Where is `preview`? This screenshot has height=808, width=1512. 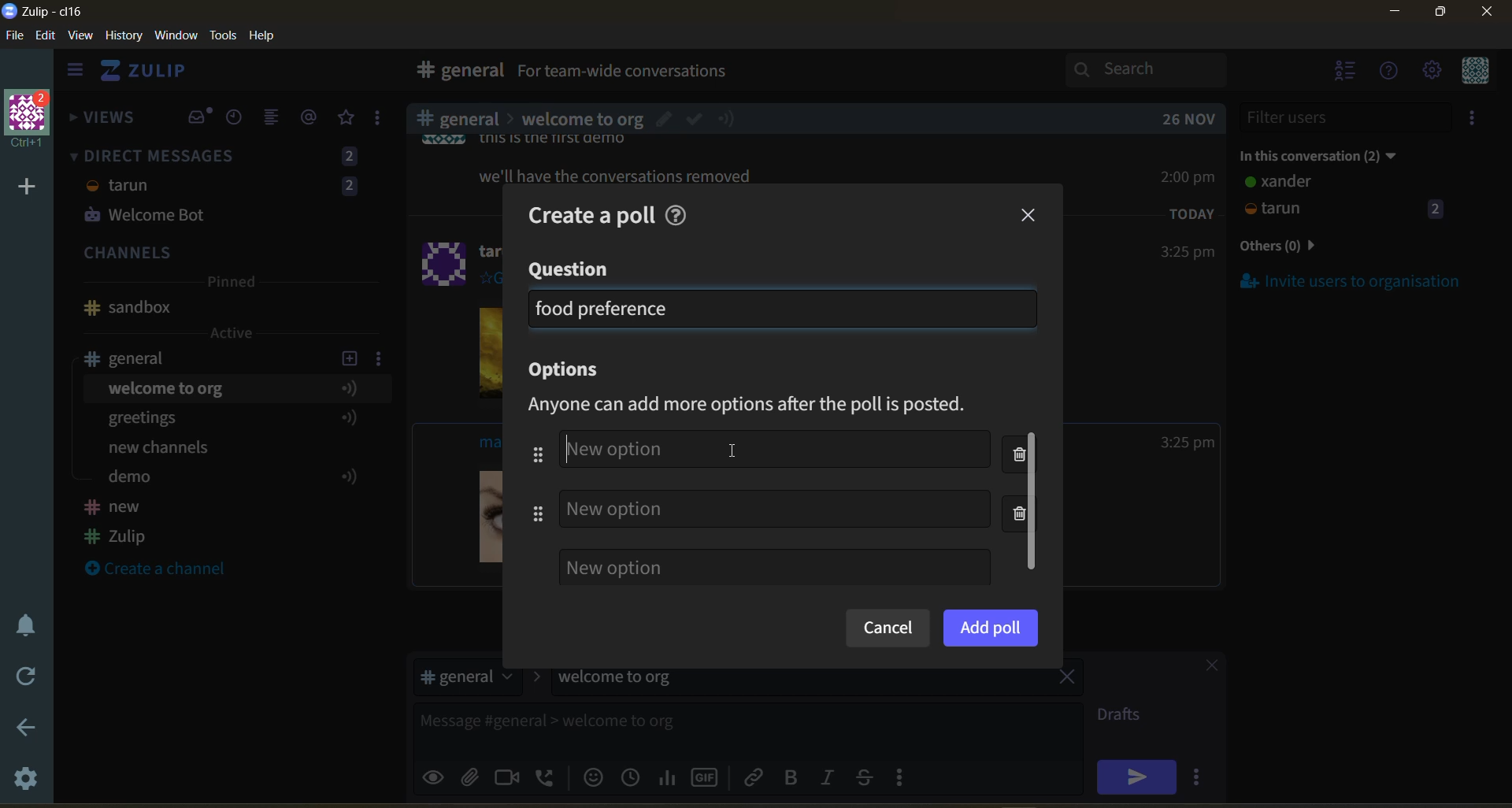 preview is located at coordinates (435, 775).